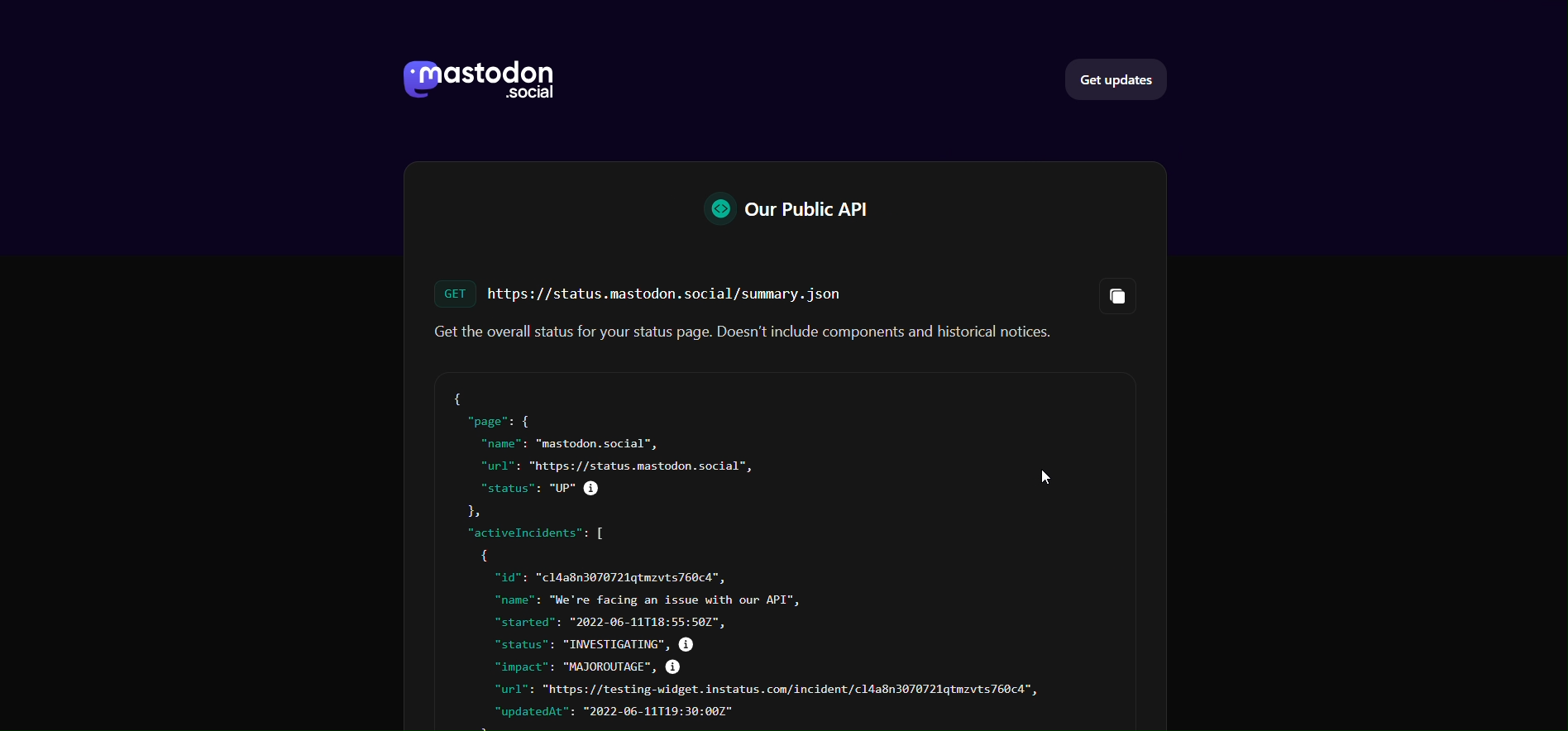  I want to click on LOGO, so click(493, 80).